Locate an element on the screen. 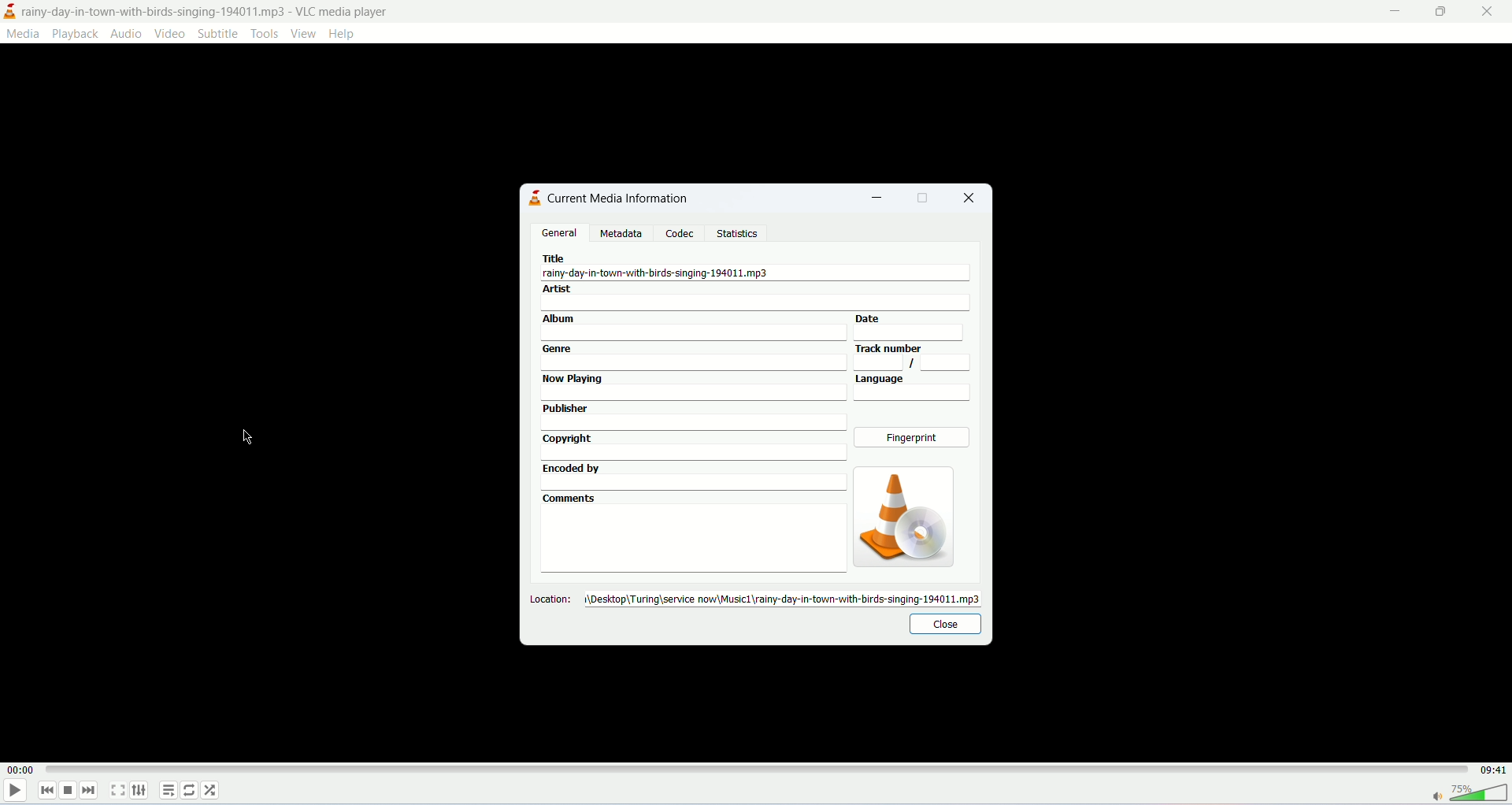  close is located at coordinates (1488, 12).